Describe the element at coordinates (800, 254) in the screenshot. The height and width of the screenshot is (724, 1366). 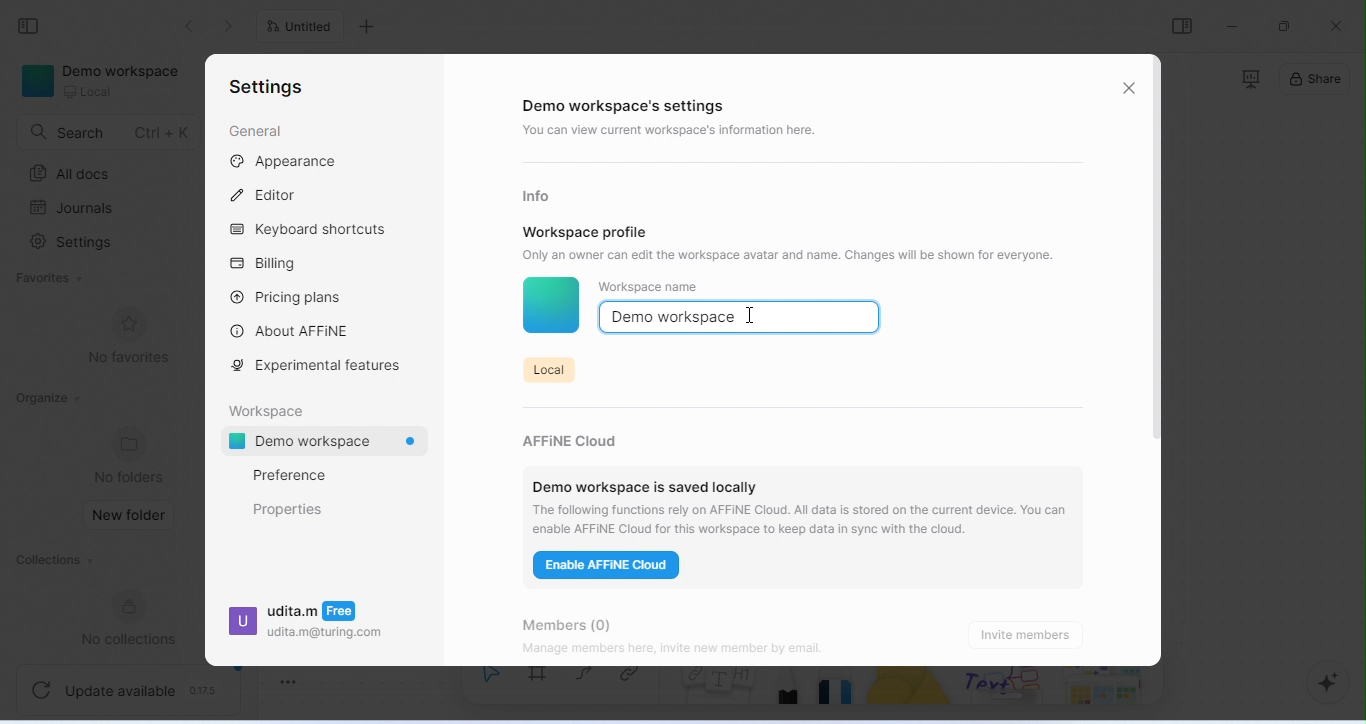
I see `Only an owner can edit the workspace avatar and name. Changes will be shown for everyone.` at that location.